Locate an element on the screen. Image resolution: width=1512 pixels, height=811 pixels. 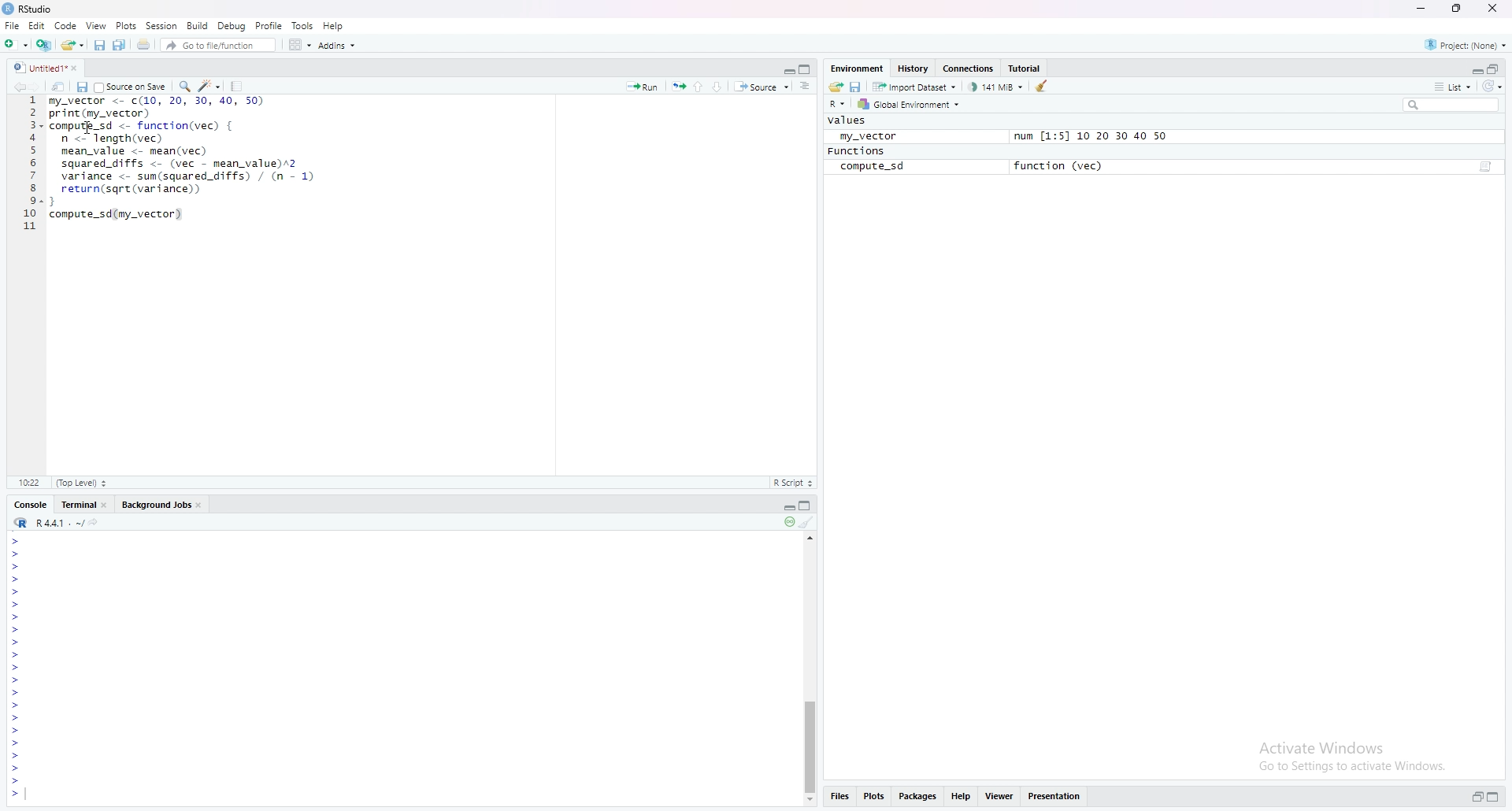
Prompt cursor is located at coordinates (17, 554).